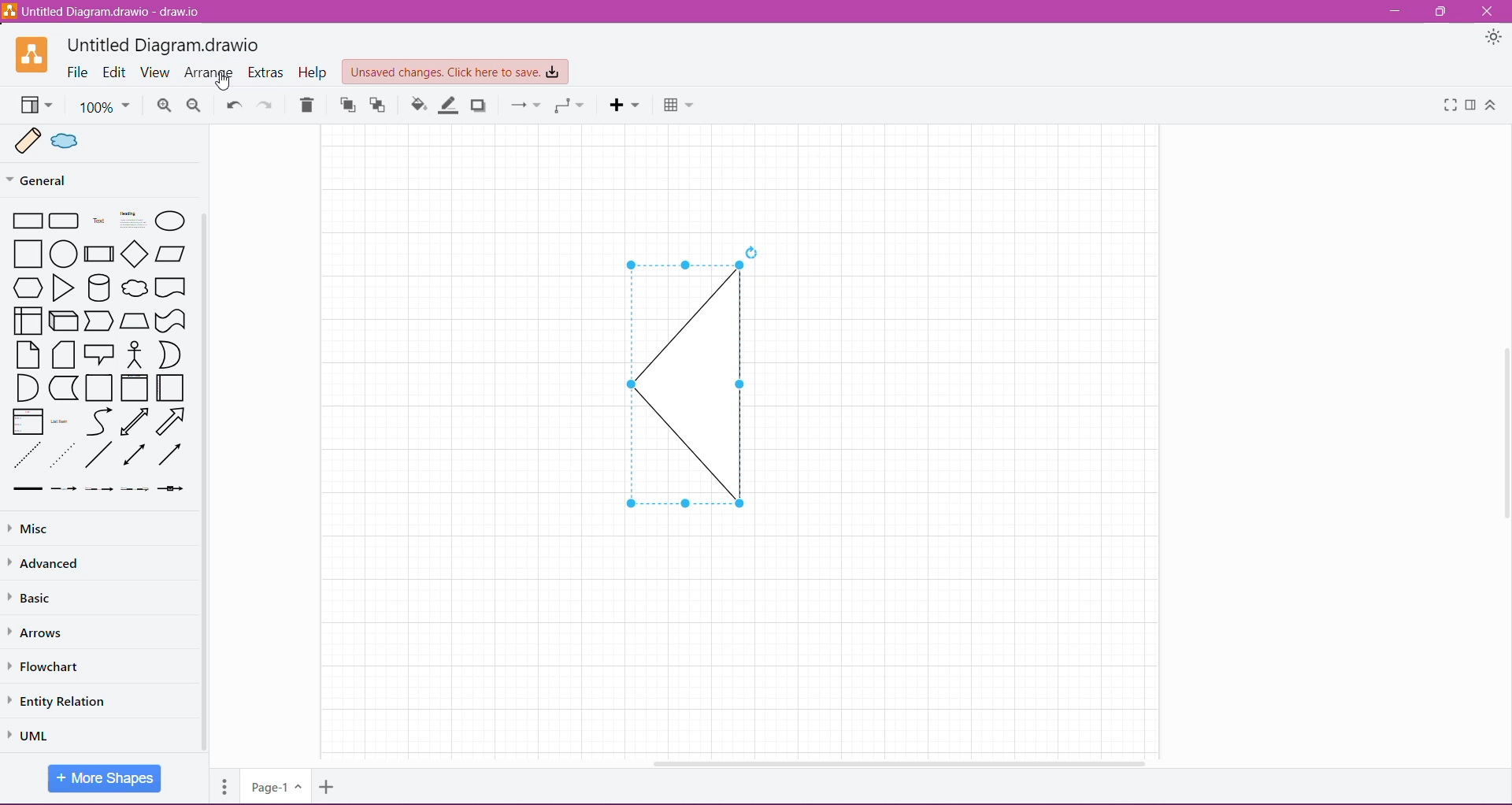  Describe the element at coordinates (210, 72) in the screenshot. I see `Arrange` at that location.